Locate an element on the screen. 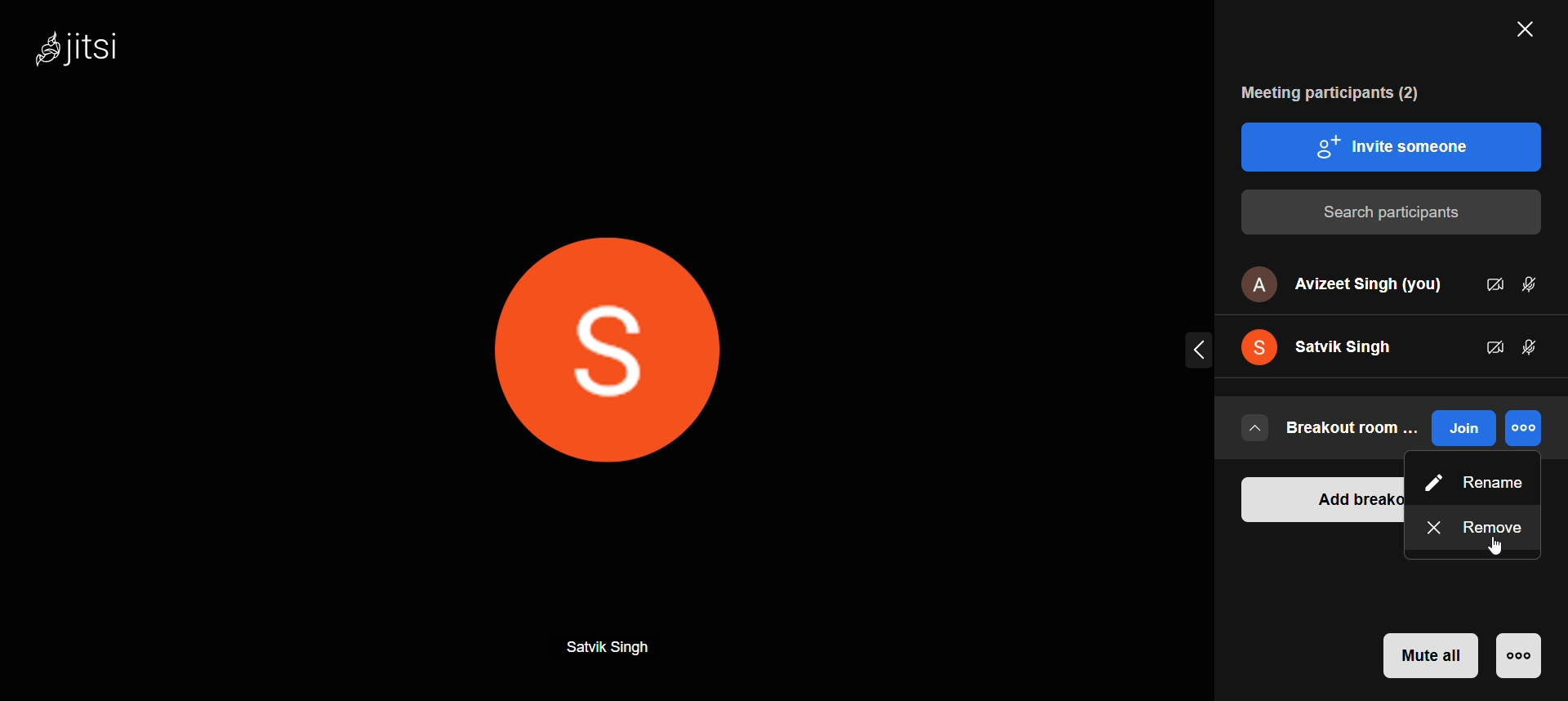 The height and width of the screenshot is (701, 1568). more moderator option is located at coordinates (1519, 654).